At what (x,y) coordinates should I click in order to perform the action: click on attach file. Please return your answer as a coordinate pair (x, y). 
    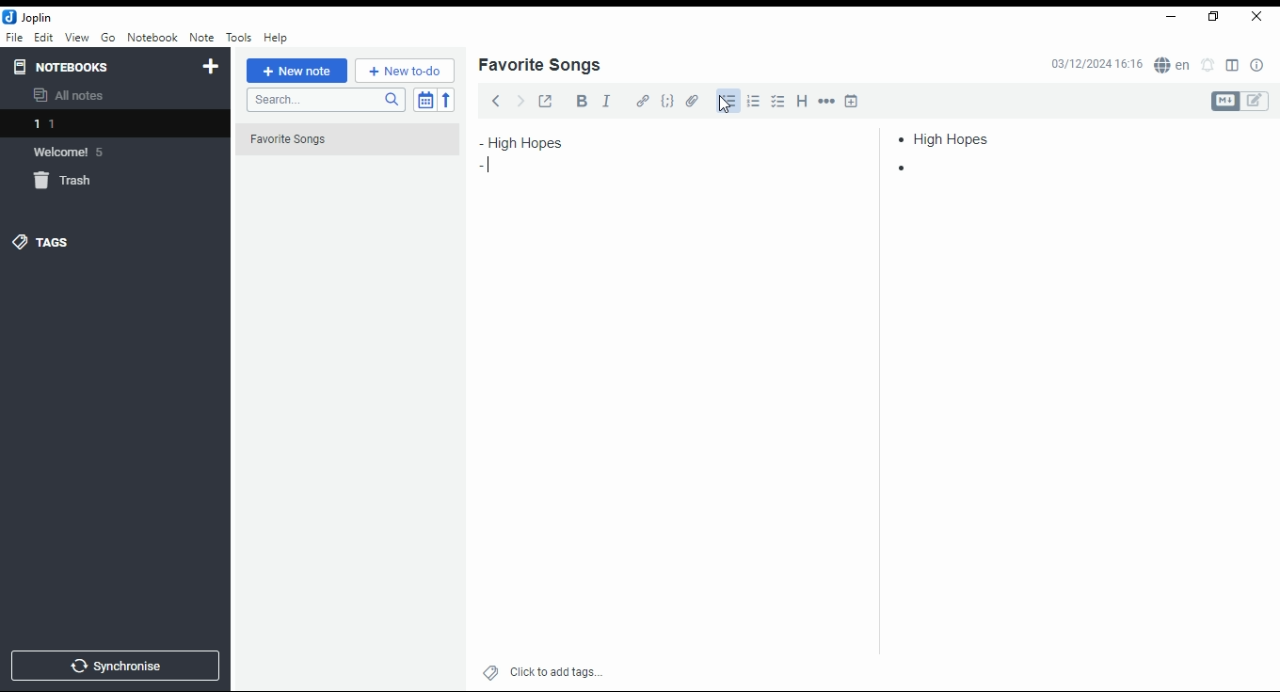
    Looking at the image, I should click on (693, 100).